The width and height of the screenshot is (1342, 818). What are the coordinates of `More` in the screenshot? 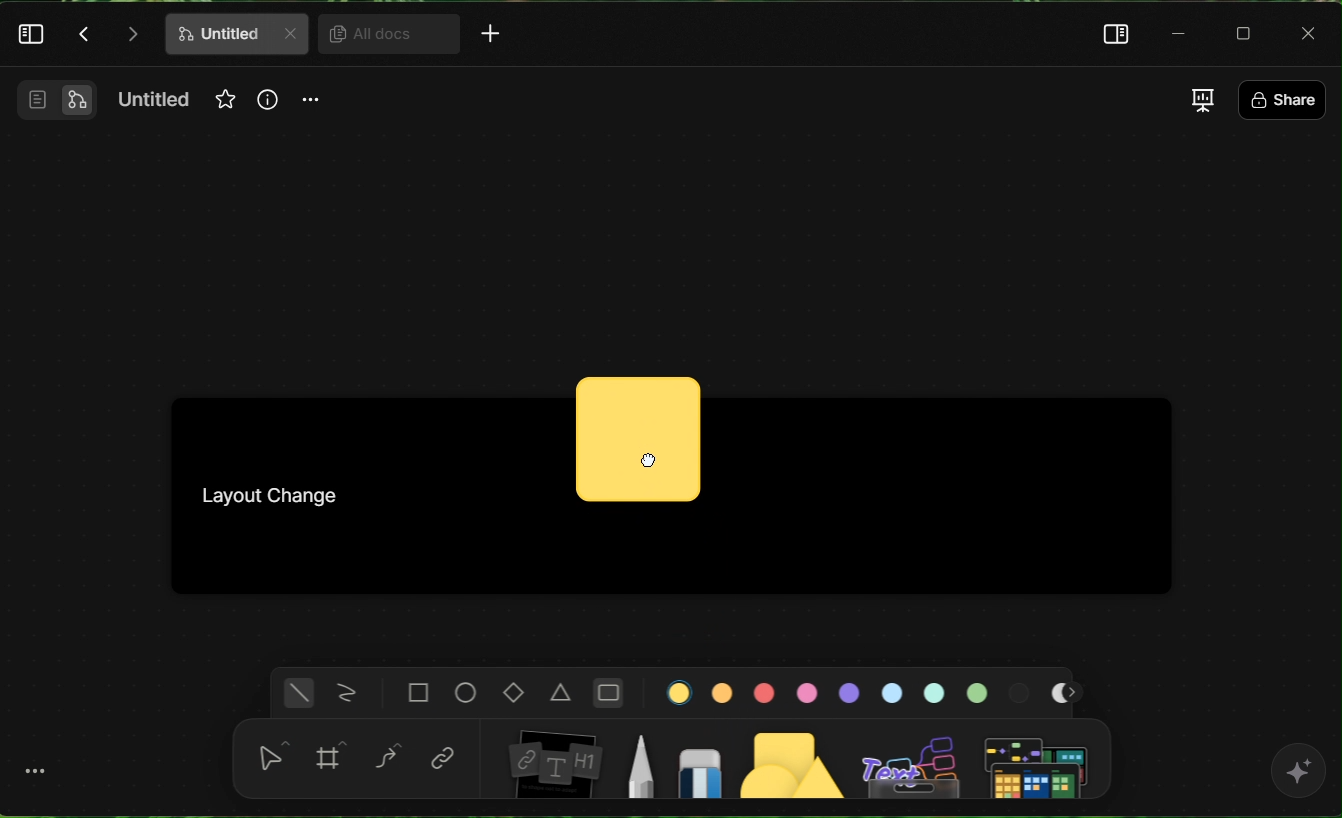 It's located at (496, 37).